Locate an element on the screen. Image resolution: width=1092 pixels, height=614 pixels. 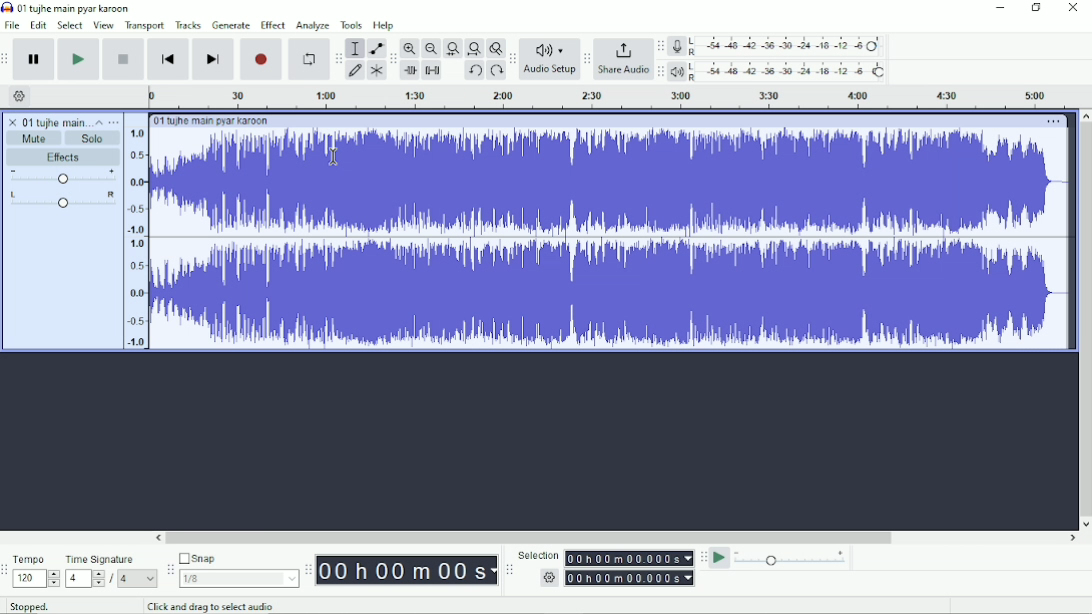
Record meter is located at coordinates (779, 47).